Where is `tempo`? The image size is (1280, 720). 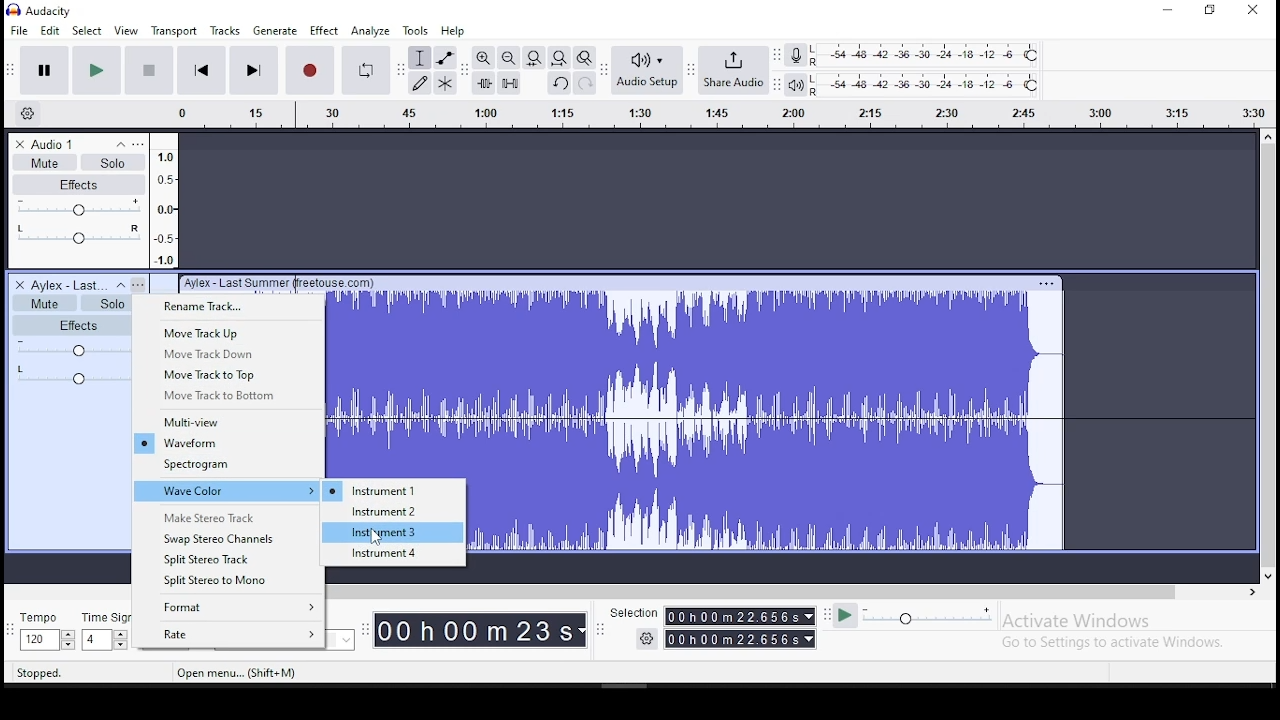
tempo is located at coordinates (44, 631).